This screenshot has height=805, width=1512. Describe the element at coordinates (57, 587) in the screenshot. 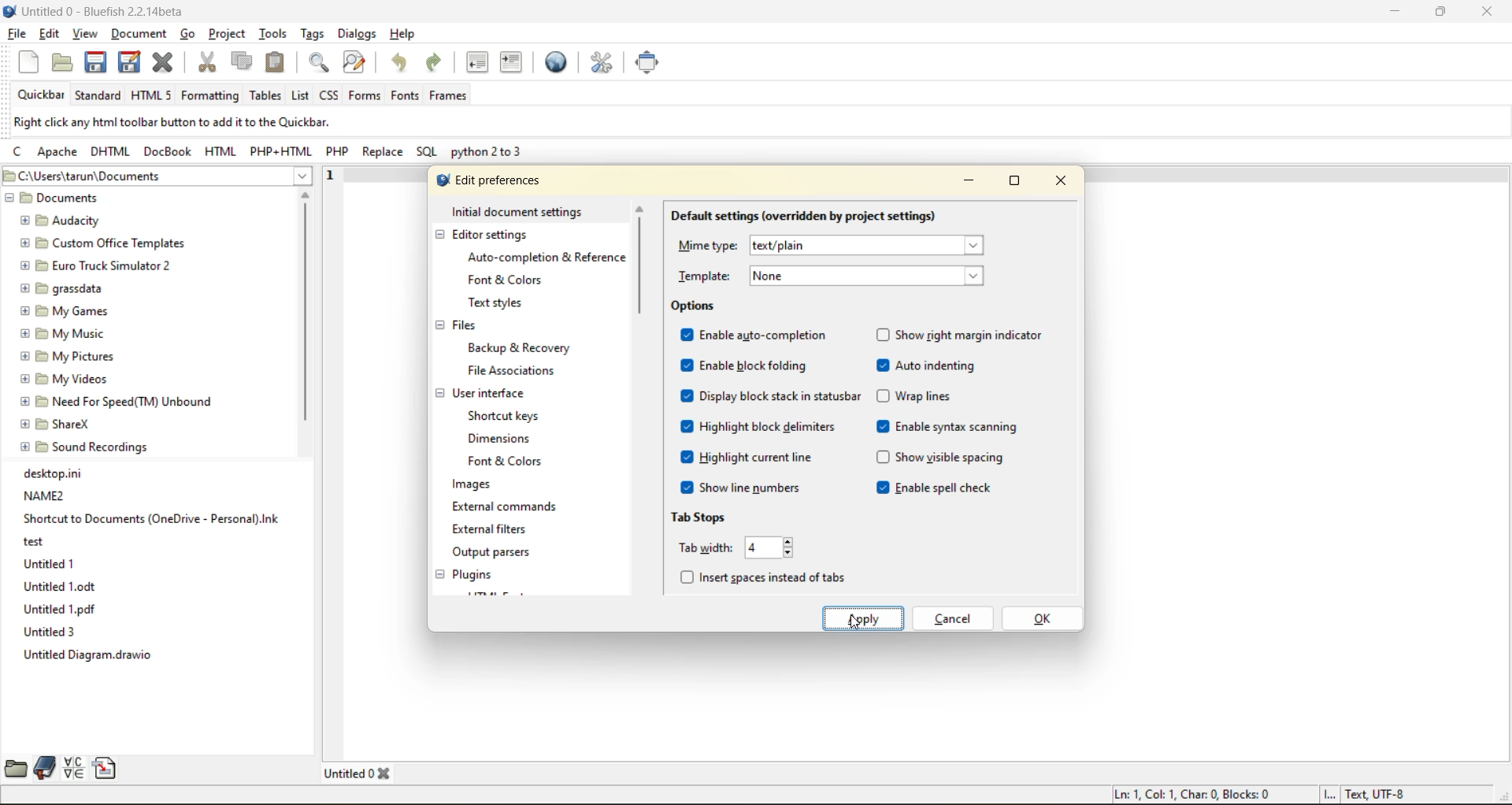

I see `Untitled 1.odt` at that location.